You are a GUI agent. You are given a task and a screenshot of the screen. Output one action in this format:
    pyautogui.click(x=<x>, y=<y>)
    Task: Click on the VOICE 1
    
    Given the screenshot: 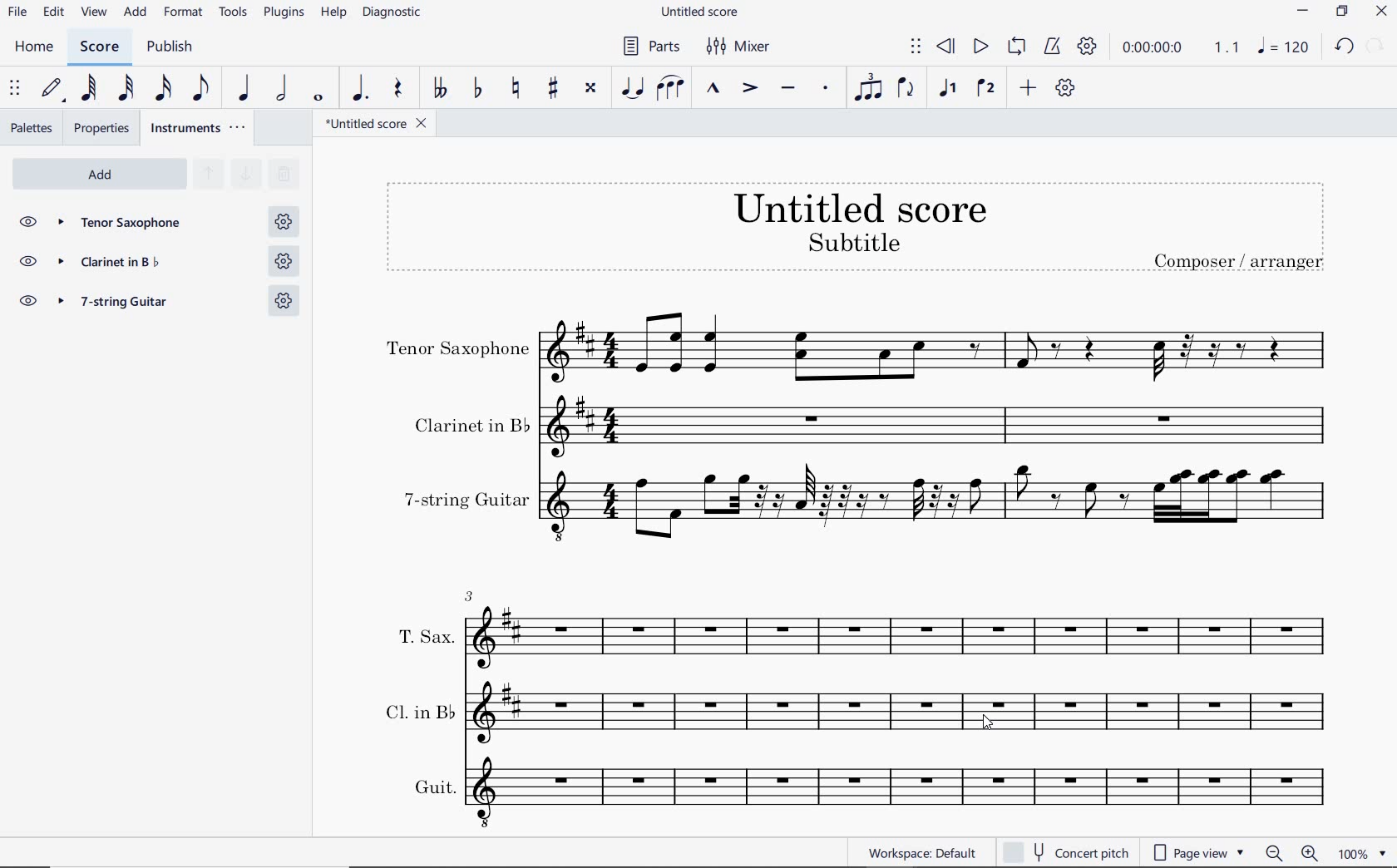 What is the action you would take?
    pyautogui.click(x=947, y=90)
    